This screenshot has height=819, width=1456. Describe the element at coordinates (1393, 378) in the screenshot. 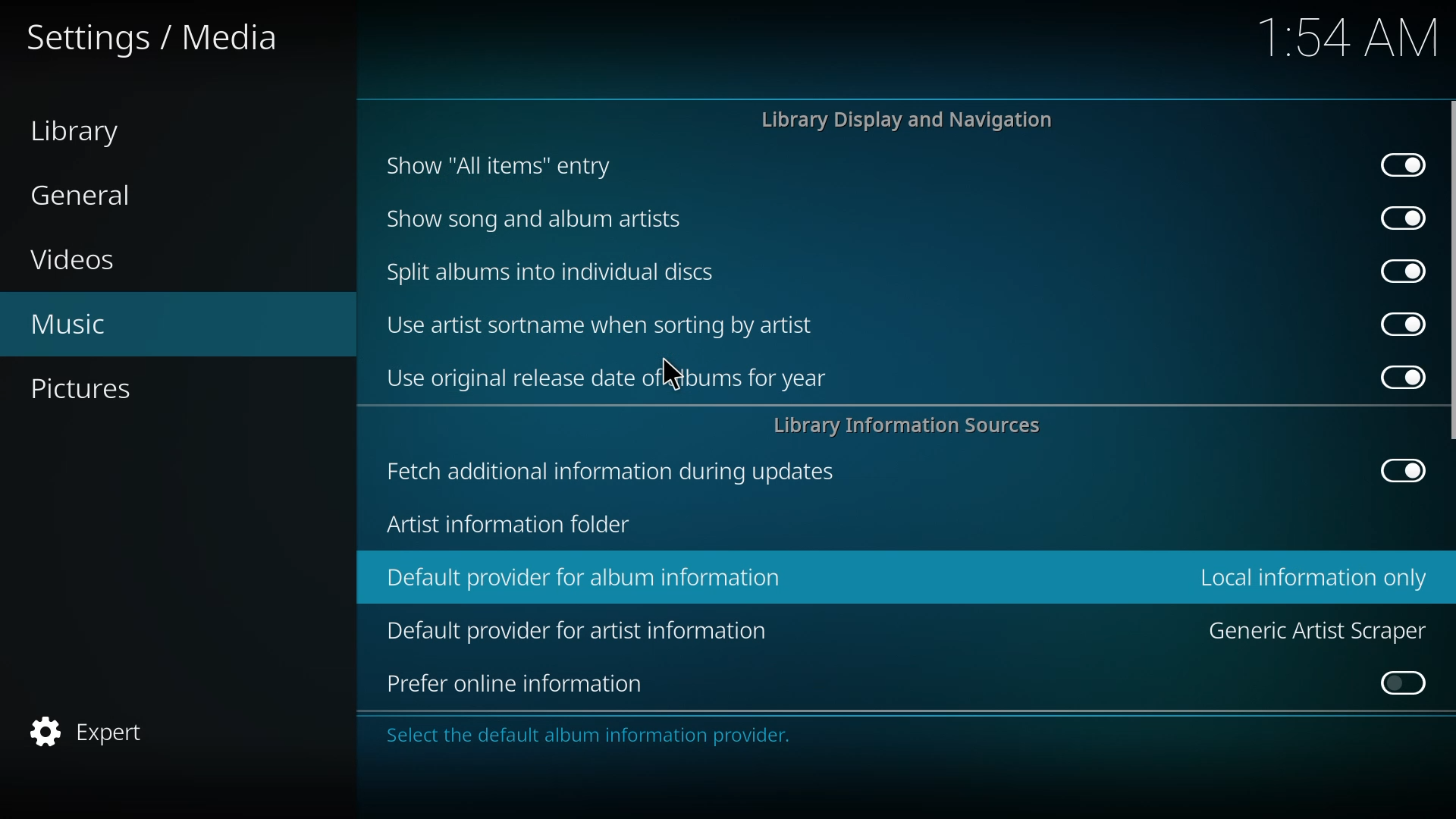

I see `enabled` at that location.